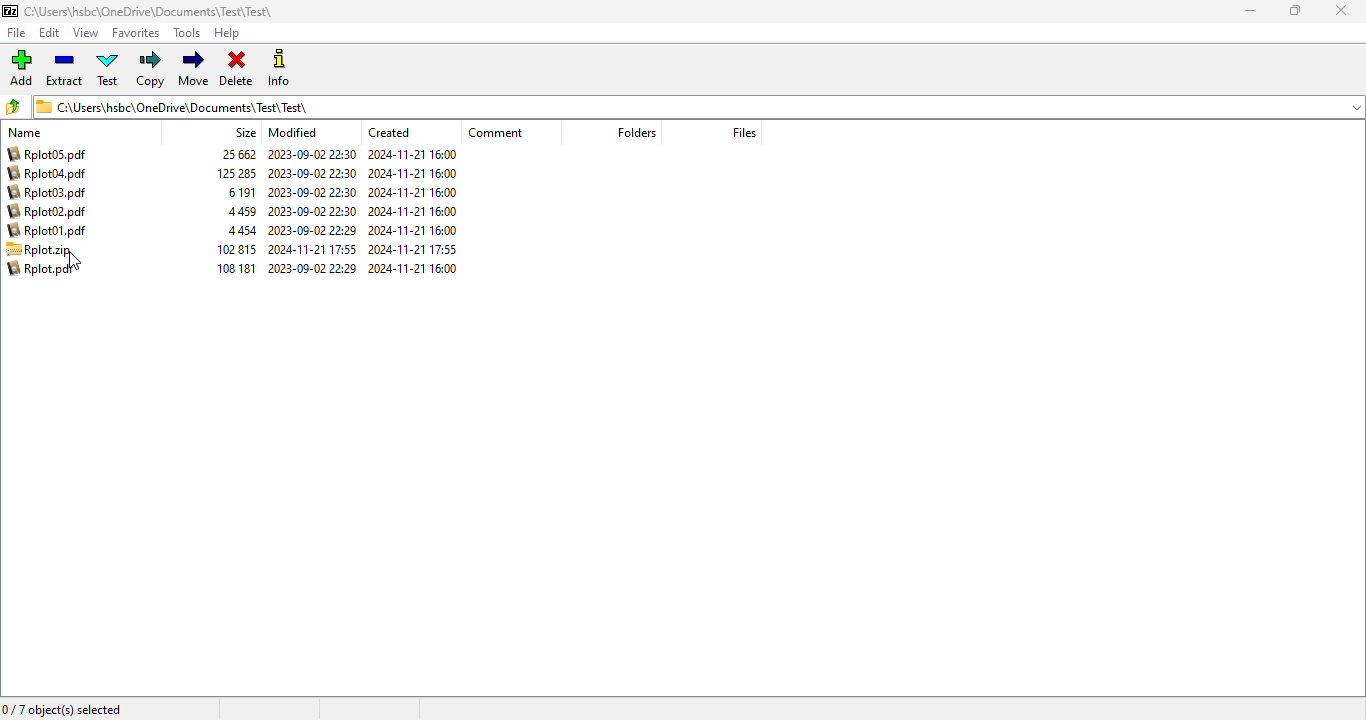 This screenshot has width=1366, height=720. Describe the element at coordinates (85, 33) in the screenshot. I see `view` at that location.